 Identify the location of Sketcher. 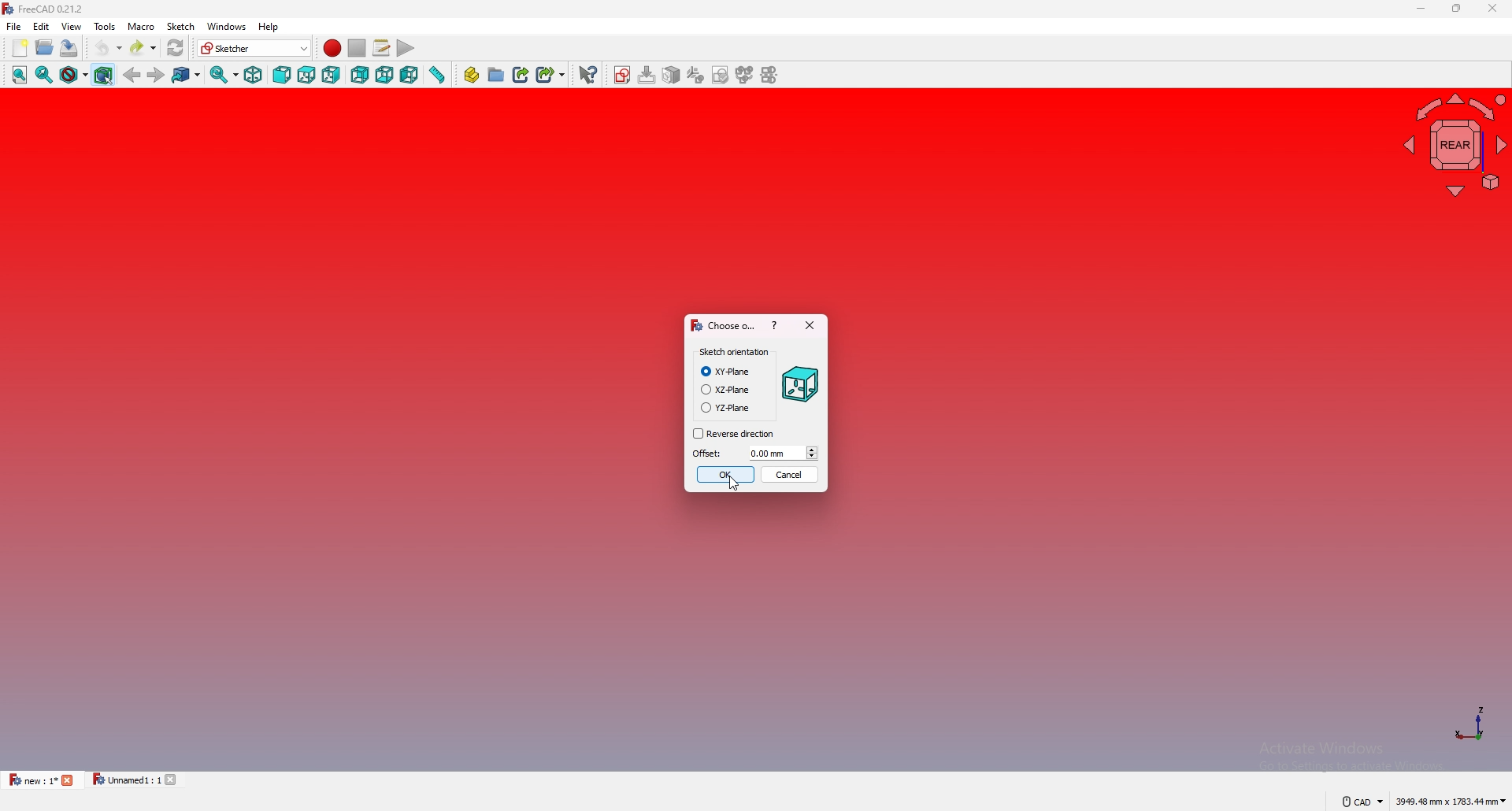
(254, 48).